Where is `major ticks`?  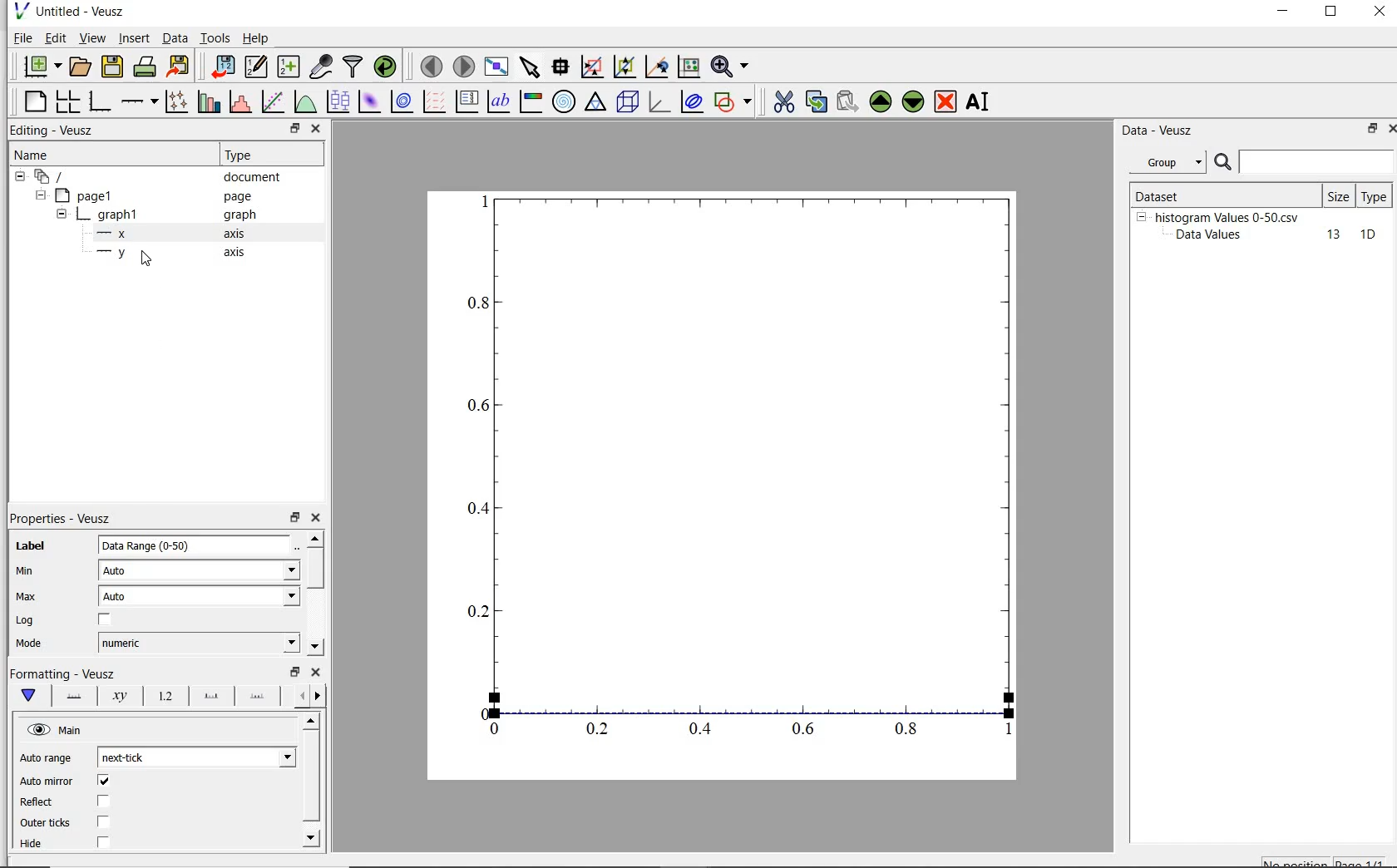
major ticks is located at coordinates (210, 697).